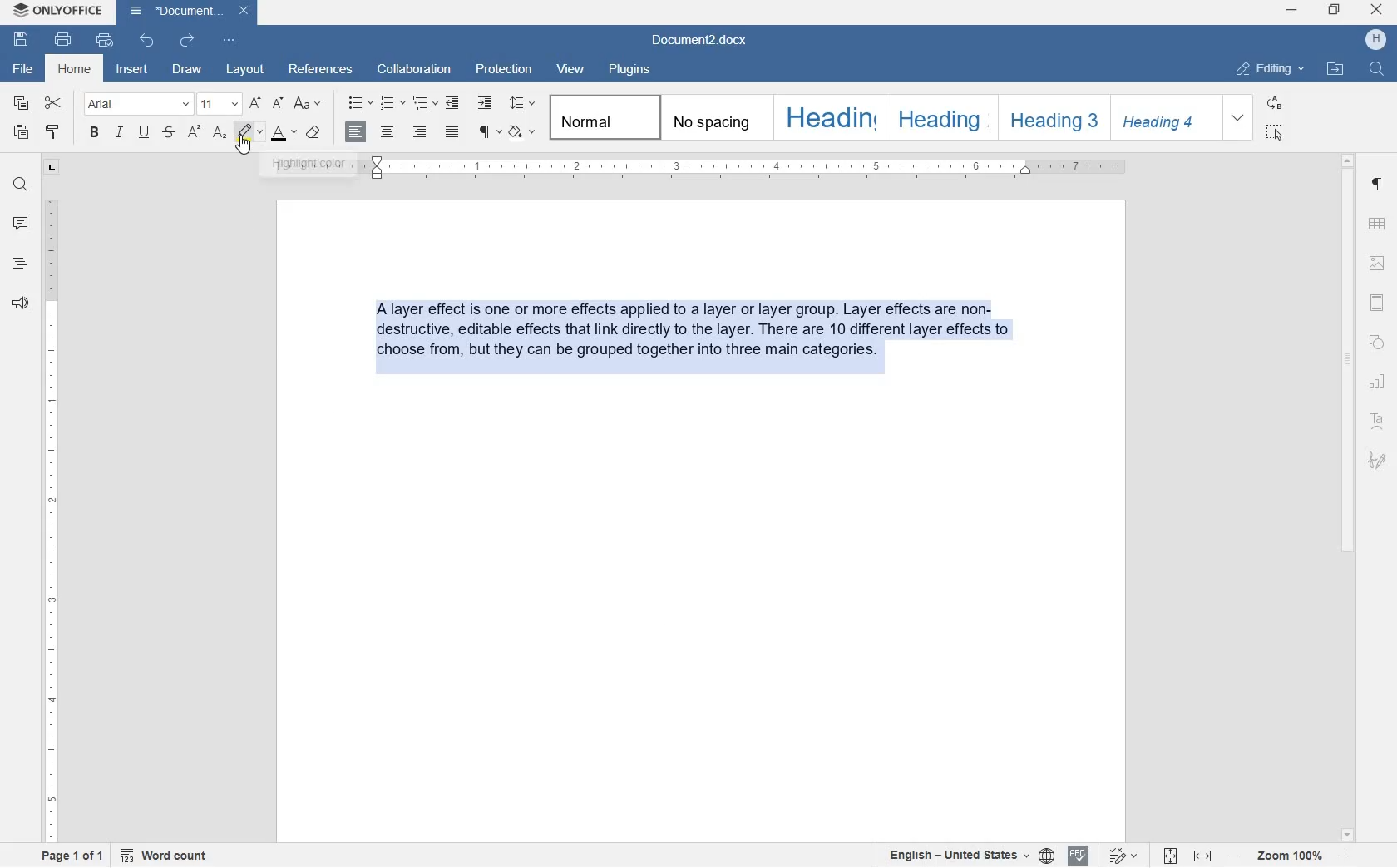 The image size is (1397, 868). Describe the element at coordinates (627, 71) in the screenshot. I see `PLUGINS` at that location.